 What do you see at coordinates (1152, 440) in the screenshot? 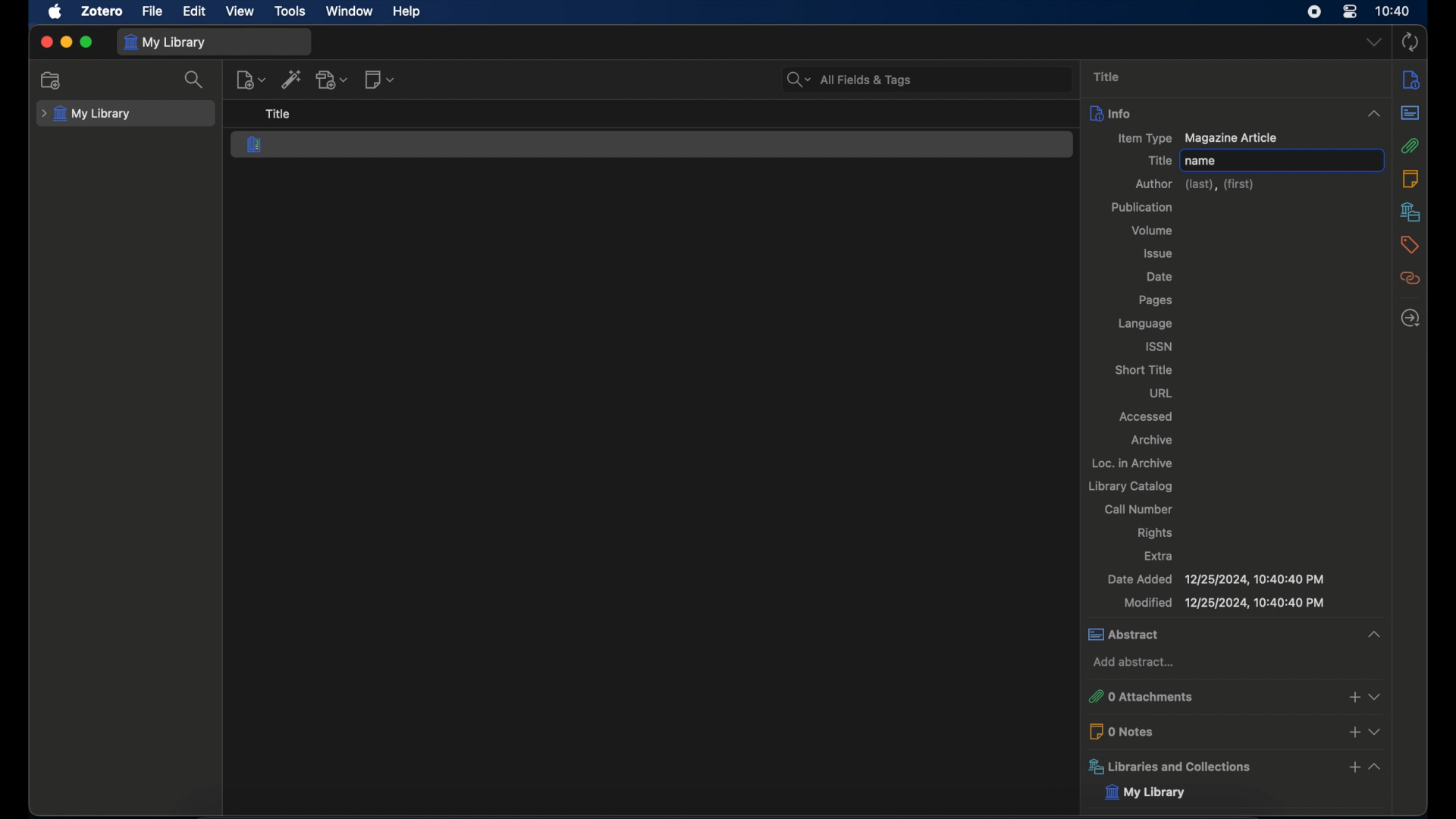
I see `archive` at bounding box center [1152, 440].